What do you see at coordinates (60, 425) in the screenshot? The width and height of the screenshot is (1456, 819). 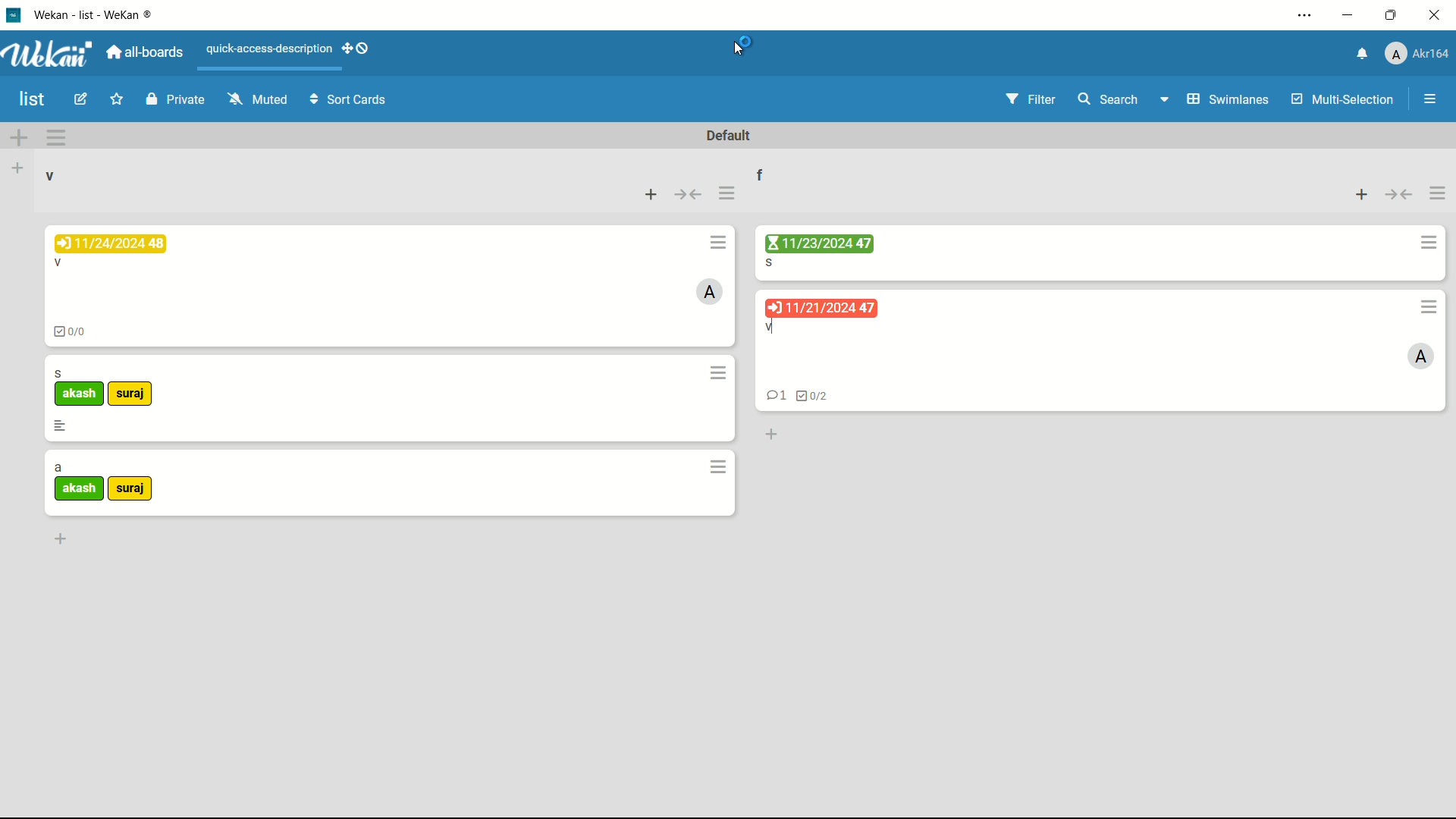 I see `description` at bounding box center [60, 425].